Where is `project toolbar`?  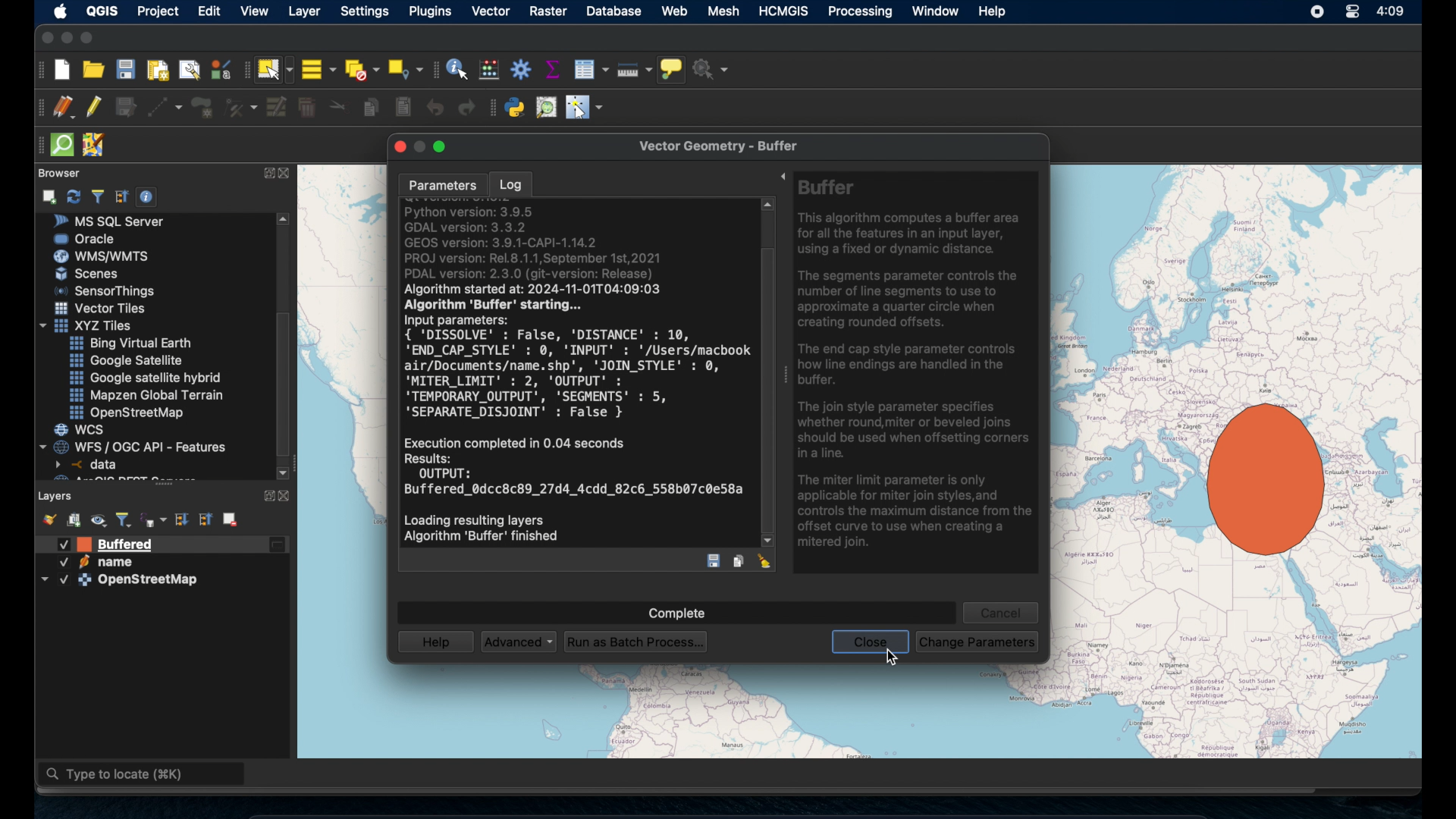 project toolbar is located at coordinates (39, 70).